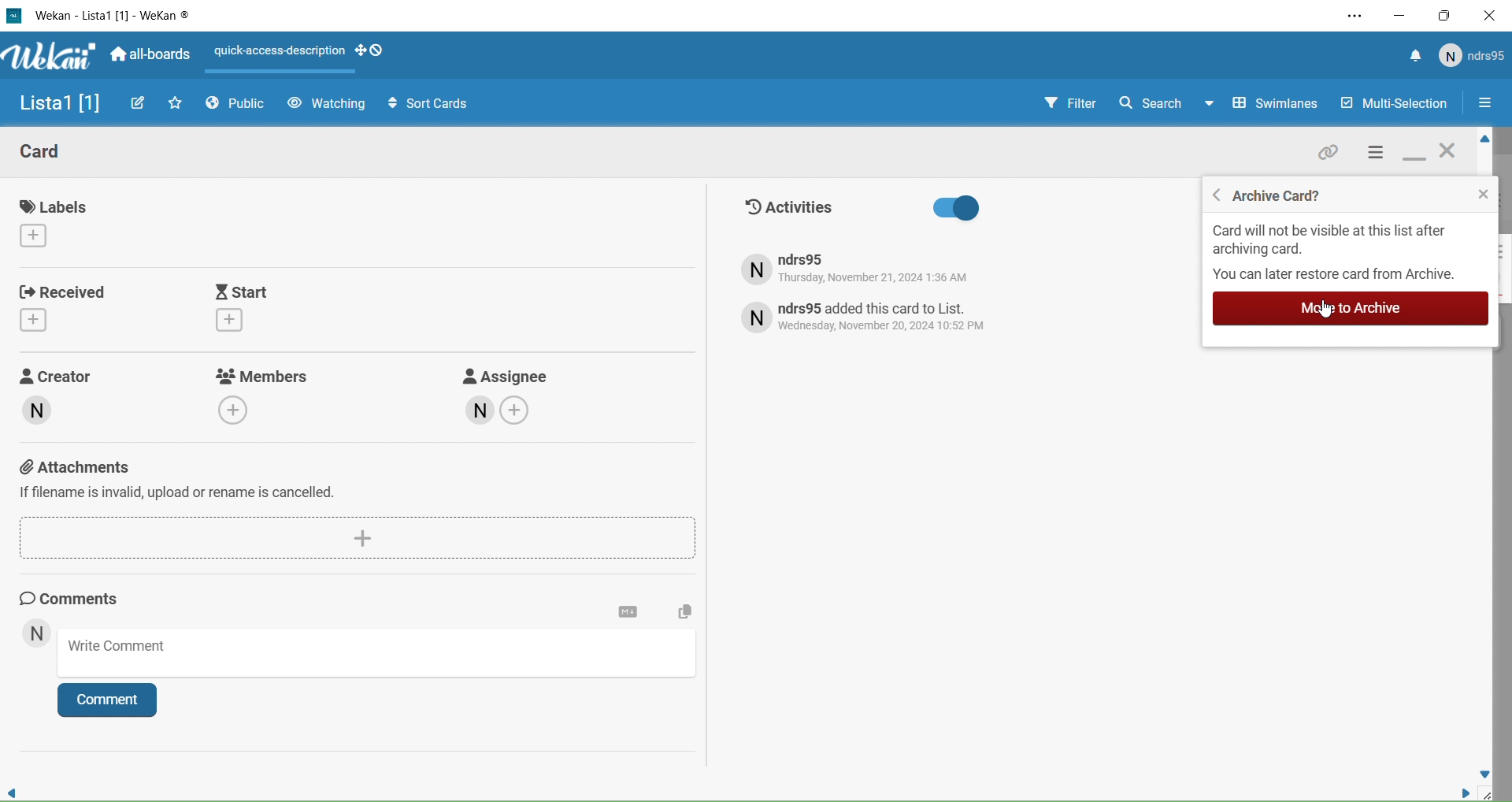  I want to click on Minimize, so click(1411, 159).